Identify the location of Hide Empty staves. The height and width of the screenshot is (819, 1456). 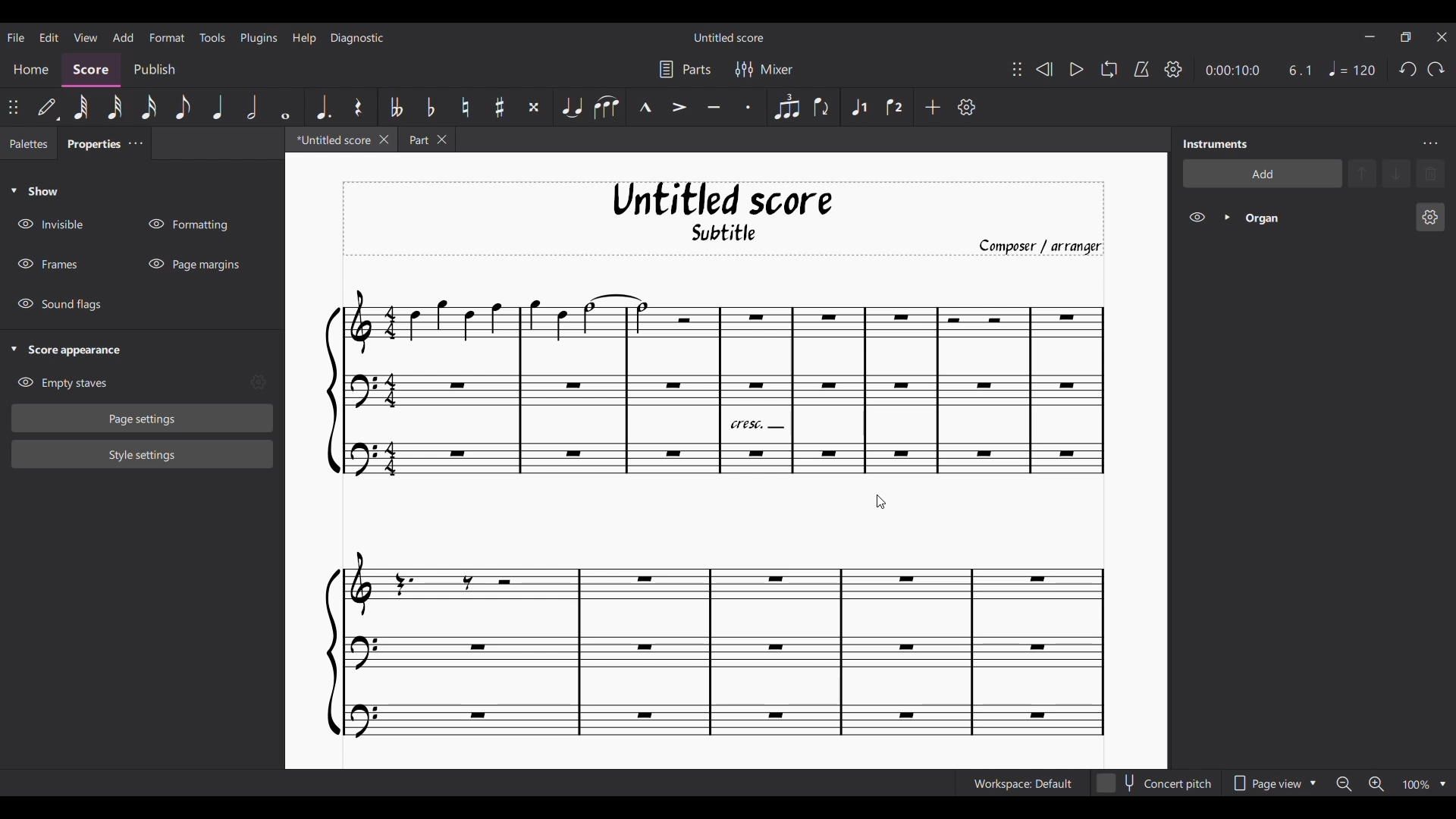
(62, 383).